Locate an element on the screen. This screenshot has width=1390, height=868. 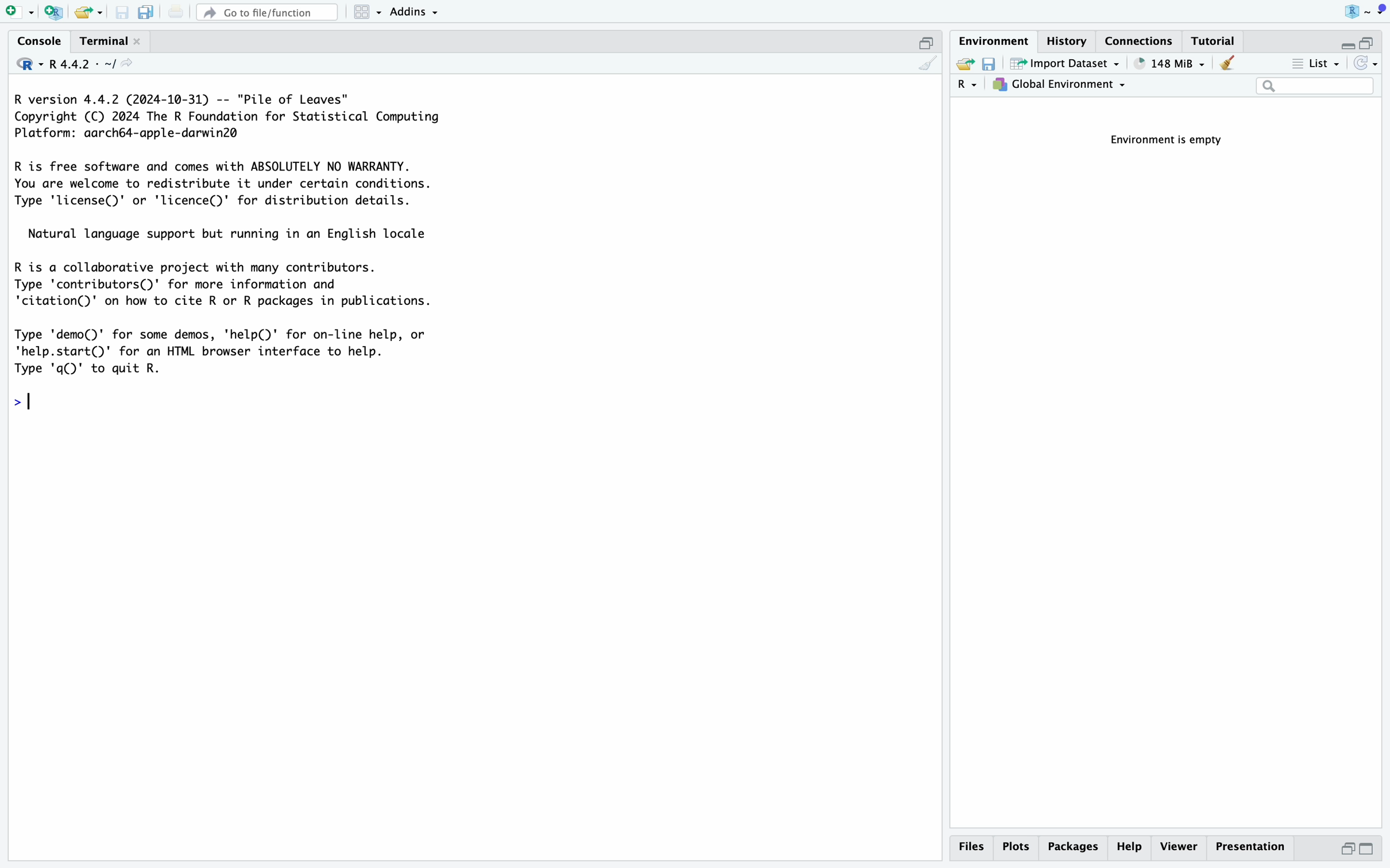
maximize is located at coordinates (928, 40).